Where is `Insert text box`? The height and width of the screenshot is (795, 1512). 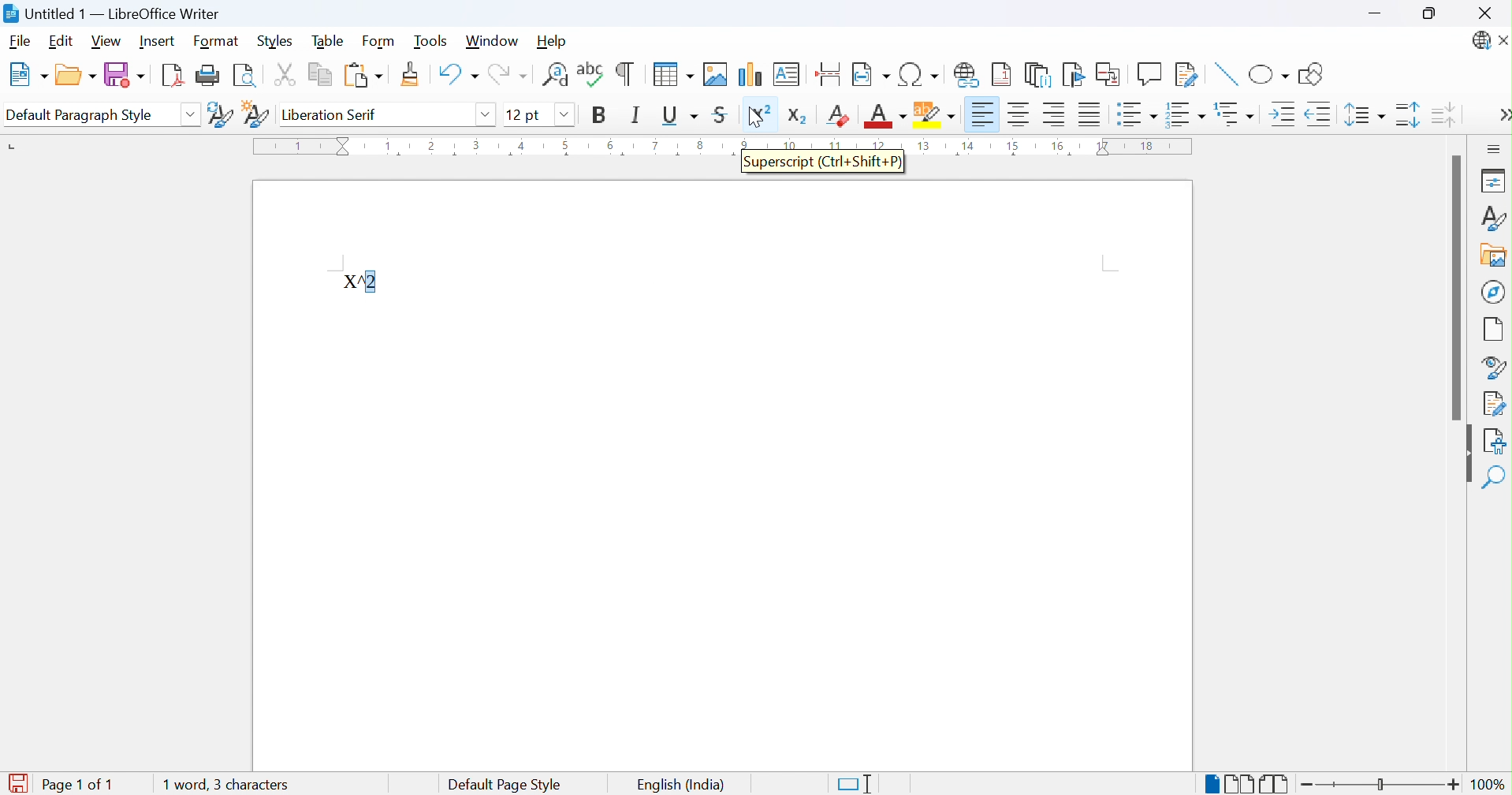 Insert text box is located at coordinates (788, 74).